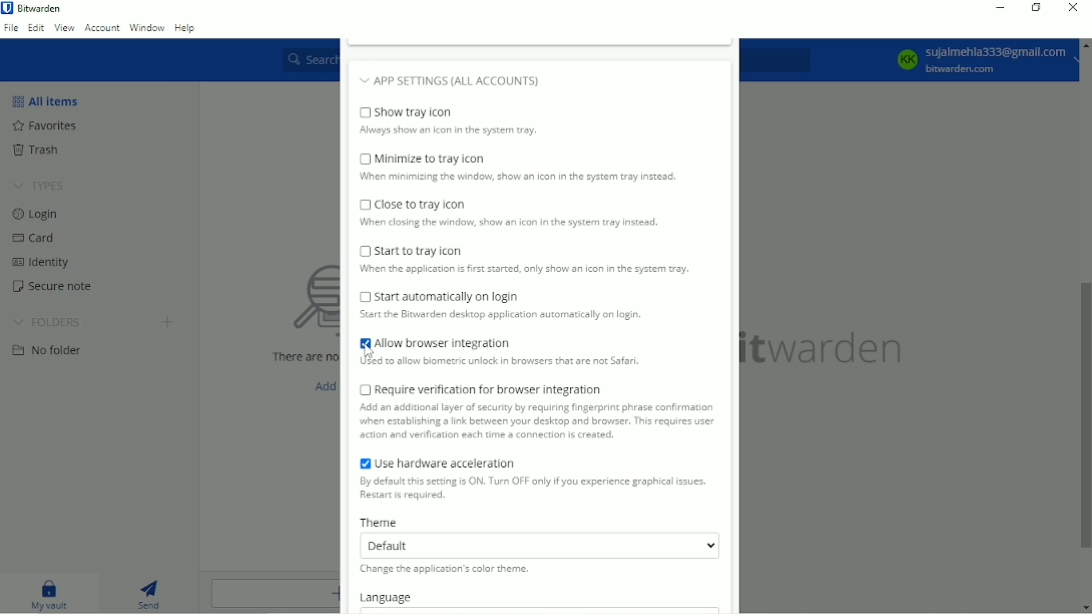 The width and height of the screenshot is (1092, 614). What do you see at coordinates (538, 545) in the screenshot?
I see `Default` at bounding box center [538, 545].